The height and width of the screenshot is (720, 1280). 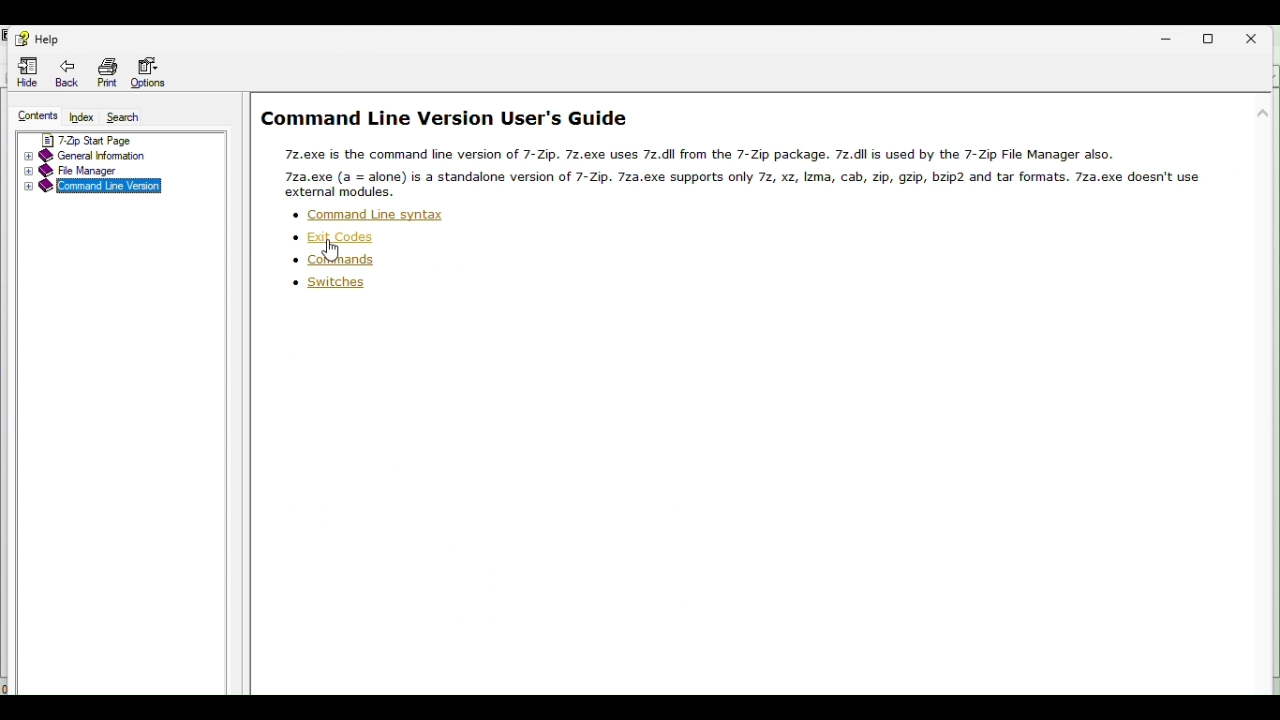 What do you see at coordinates (147, 73) in the screenshot?
I see `Options` at bounding box center [147, 73].